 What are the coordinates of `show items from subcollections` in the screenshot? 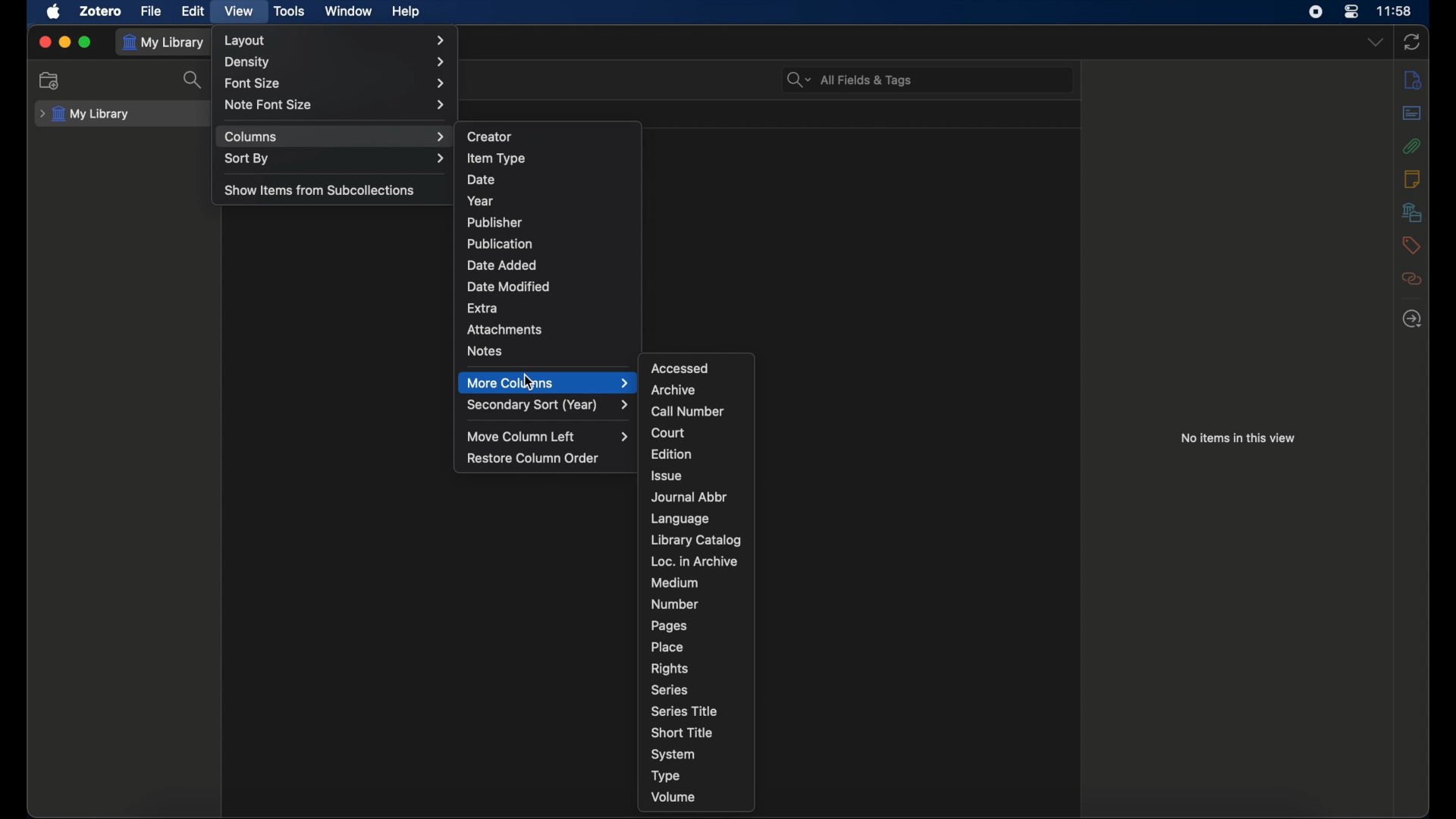 It's located at (318, 189).